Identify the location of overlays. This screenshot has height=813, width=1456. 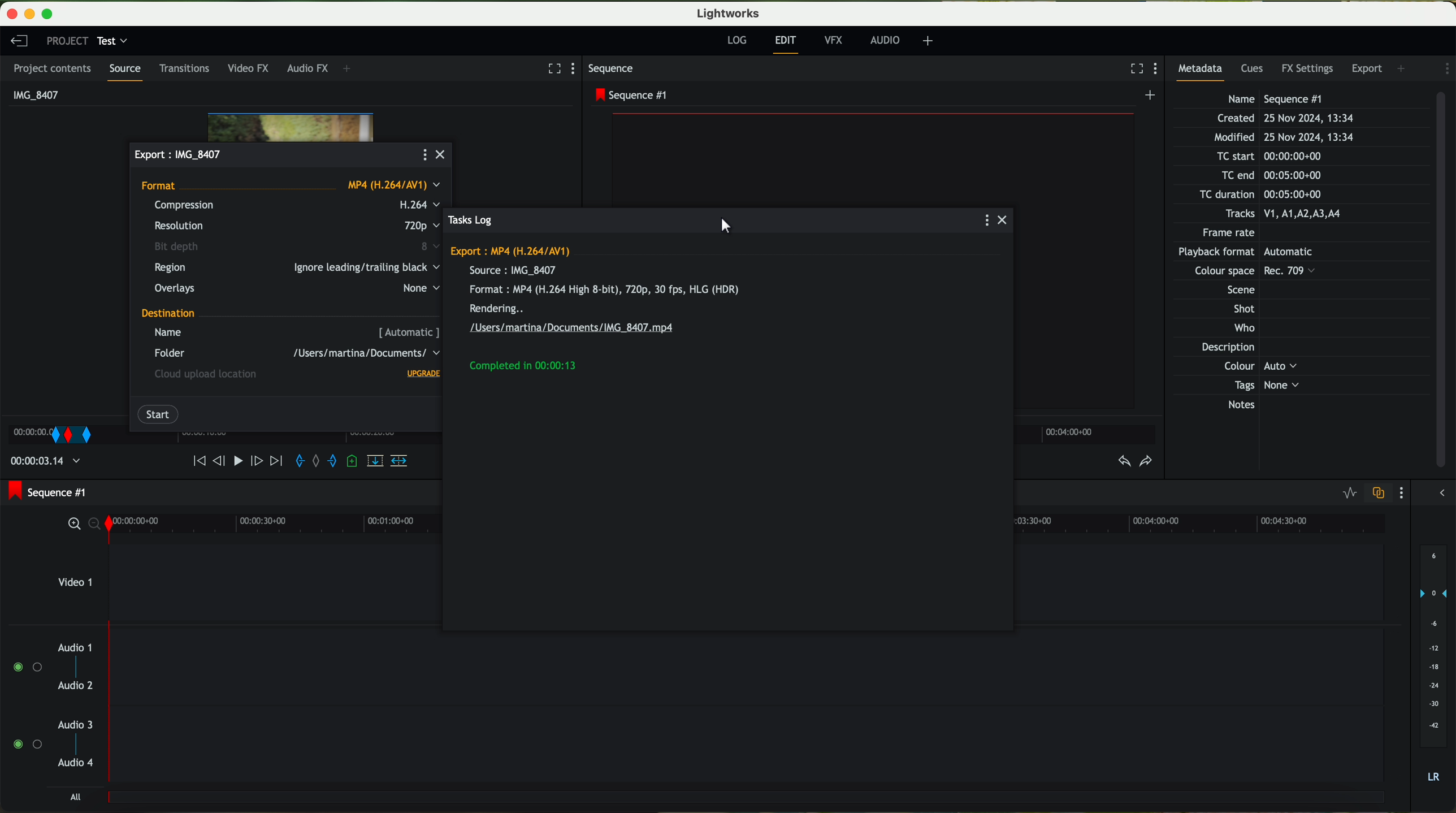
(295, 289).